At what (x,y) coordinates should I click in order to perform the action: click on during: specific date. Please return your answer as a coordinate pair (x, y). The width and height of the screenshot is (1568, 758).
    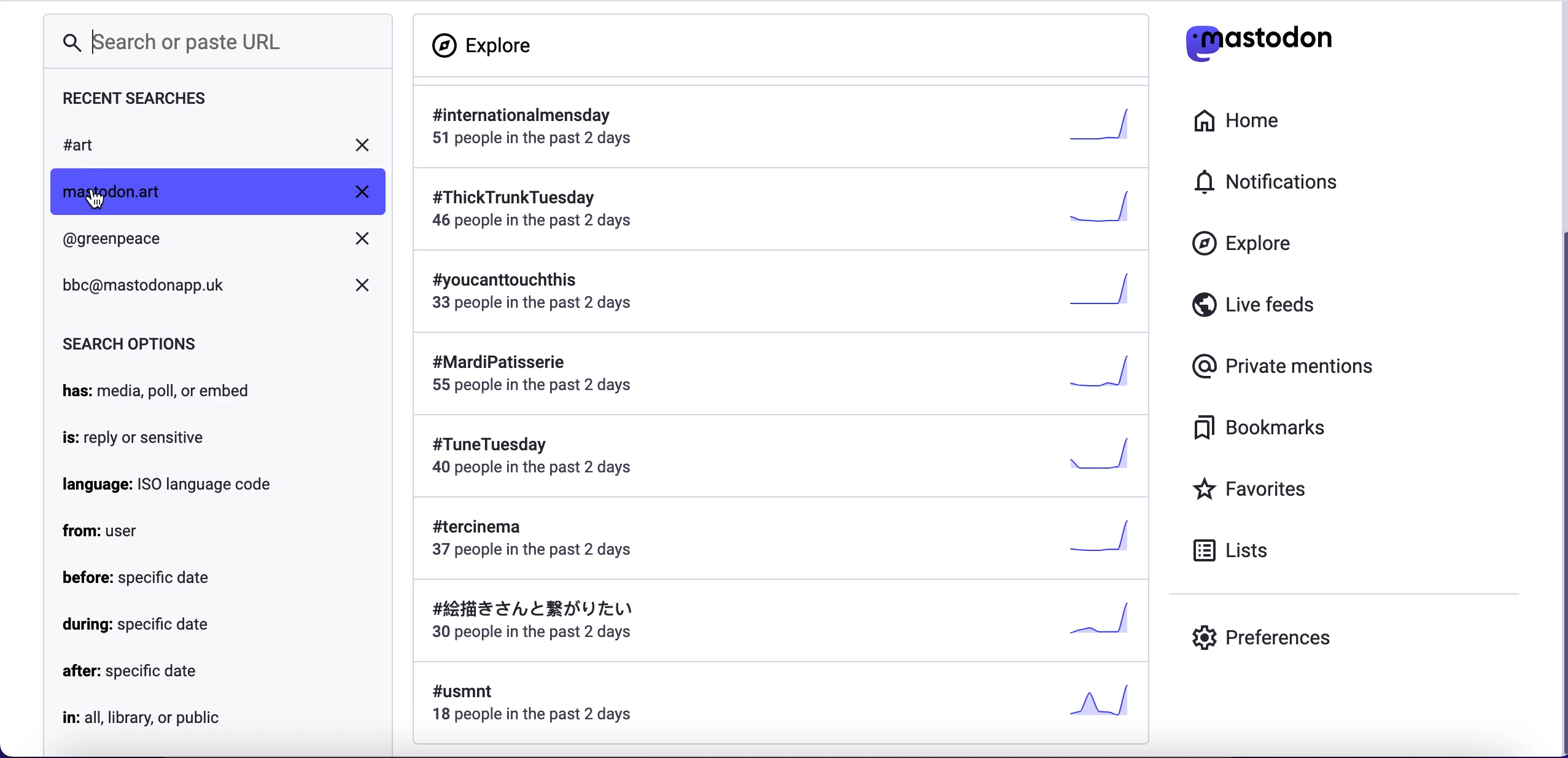
    Looking at the image, I should click on (136, 627).